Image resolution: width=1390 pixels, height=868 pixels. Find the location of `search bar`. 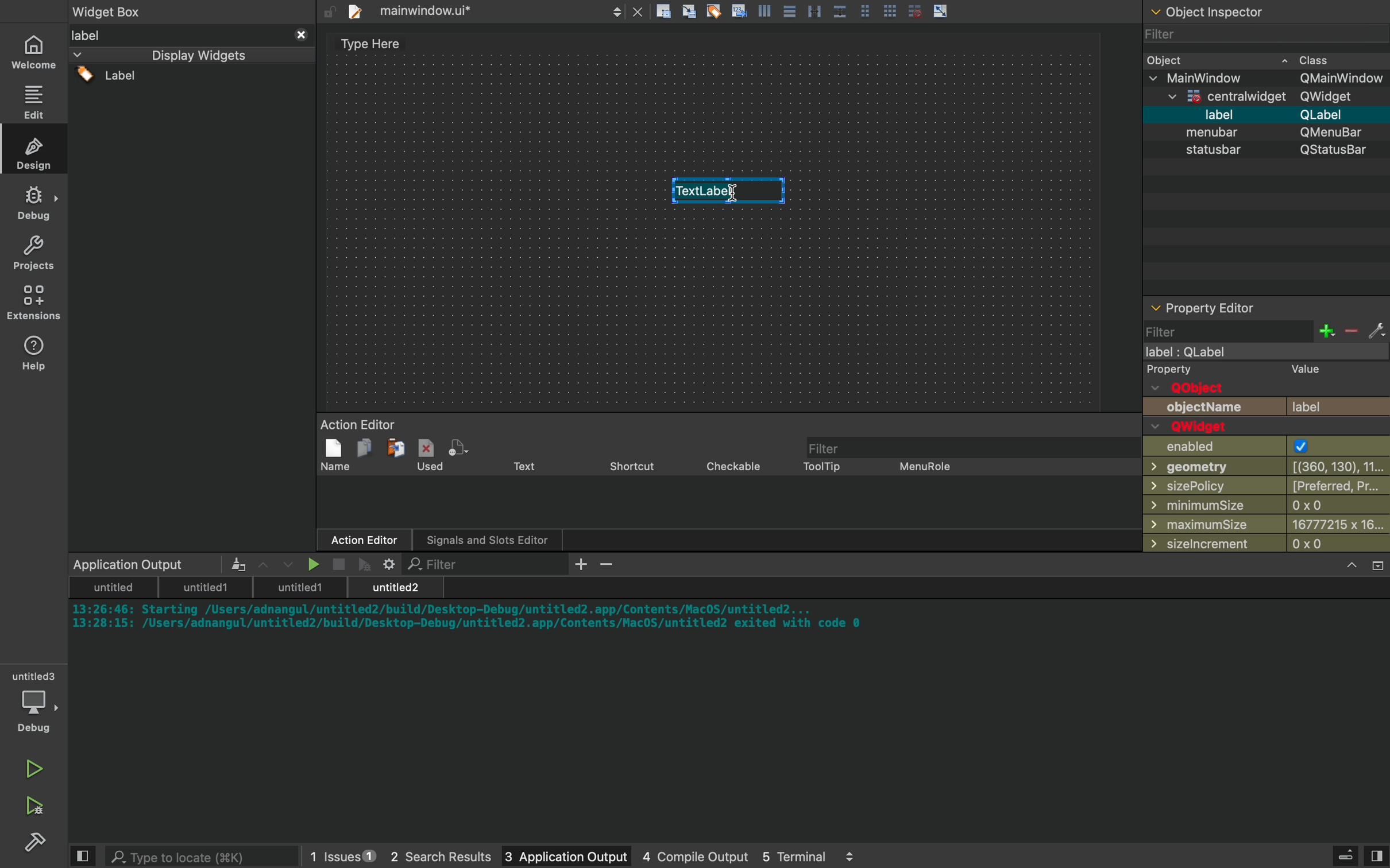

search bar is located at coordinates (188, 856).